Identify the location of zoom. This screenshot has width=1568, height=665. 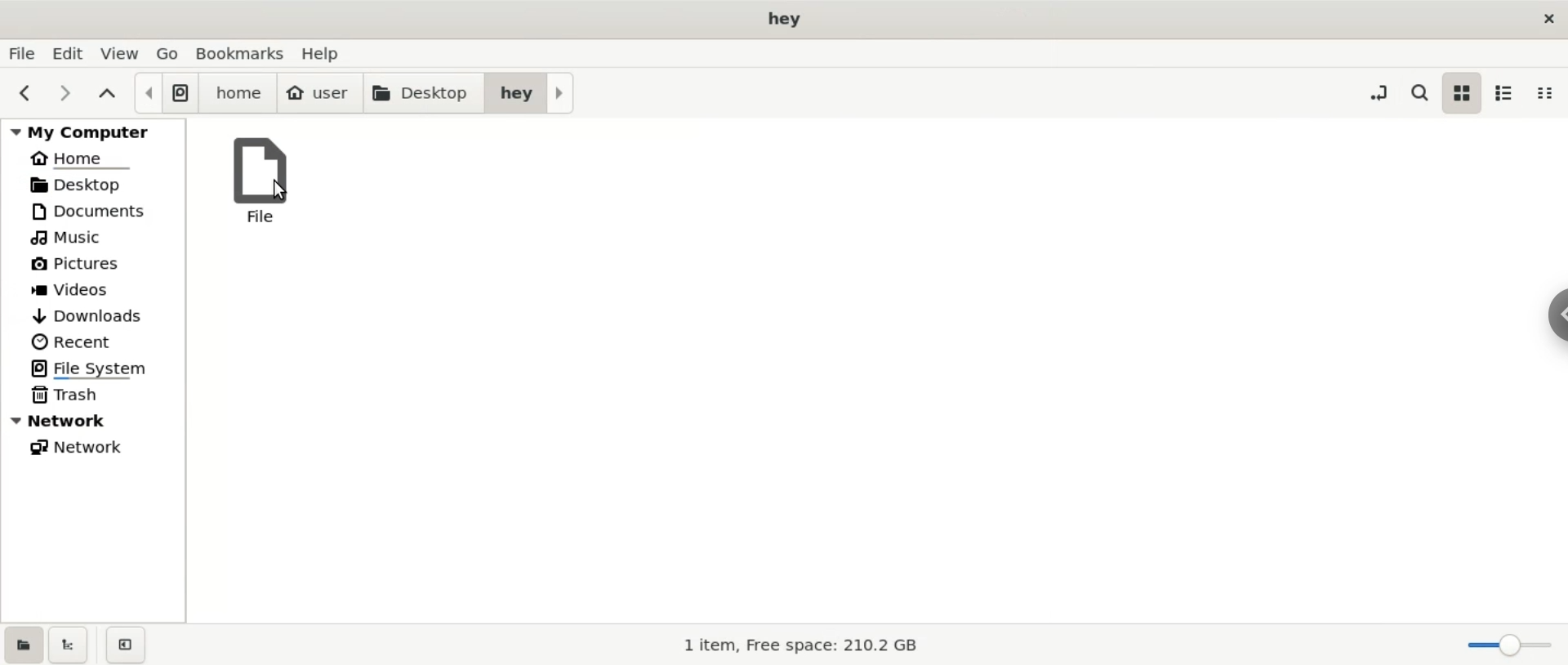
(1510, 646).